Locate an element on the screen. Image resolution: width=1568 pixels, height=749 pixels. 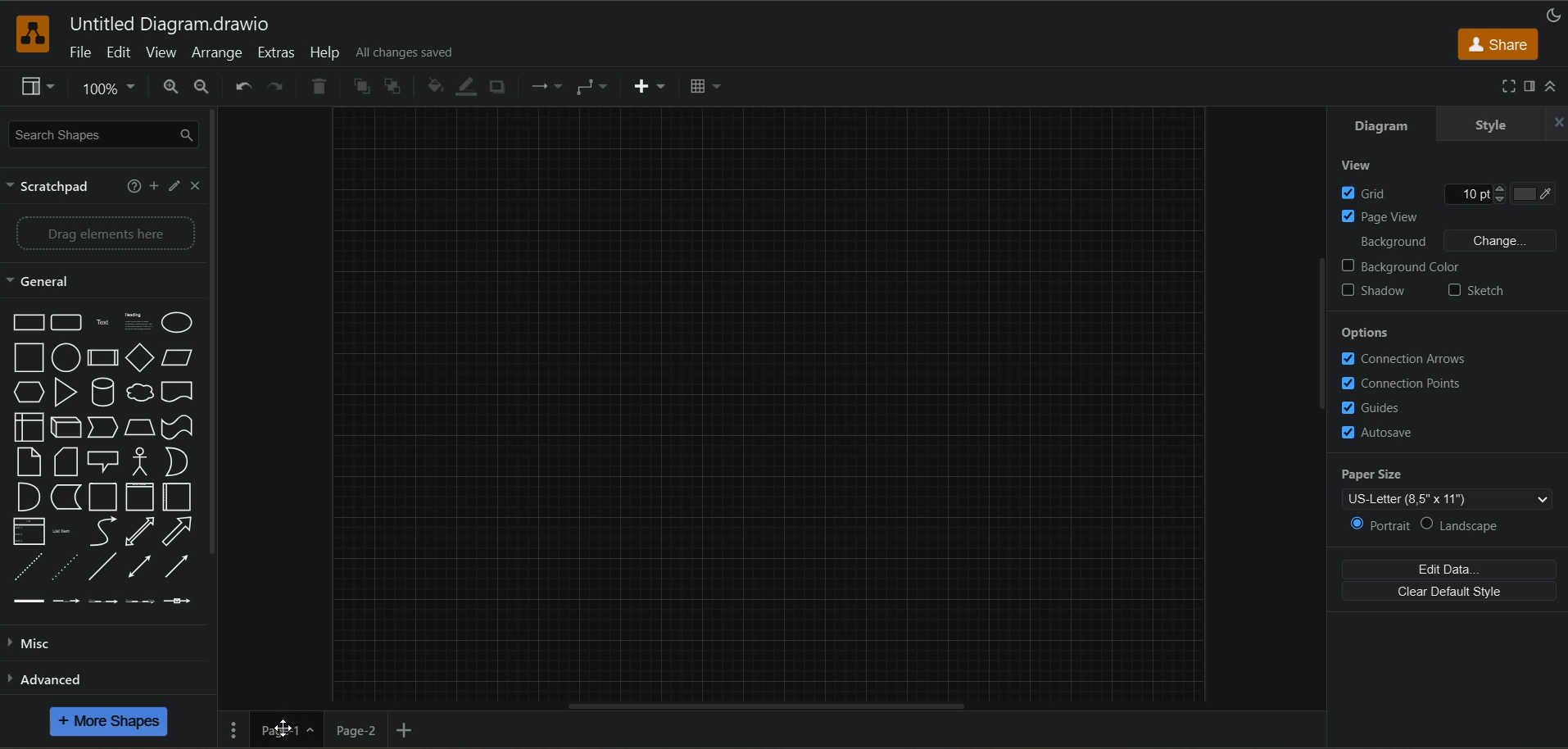
hide is located at coordinates (1558, 121).